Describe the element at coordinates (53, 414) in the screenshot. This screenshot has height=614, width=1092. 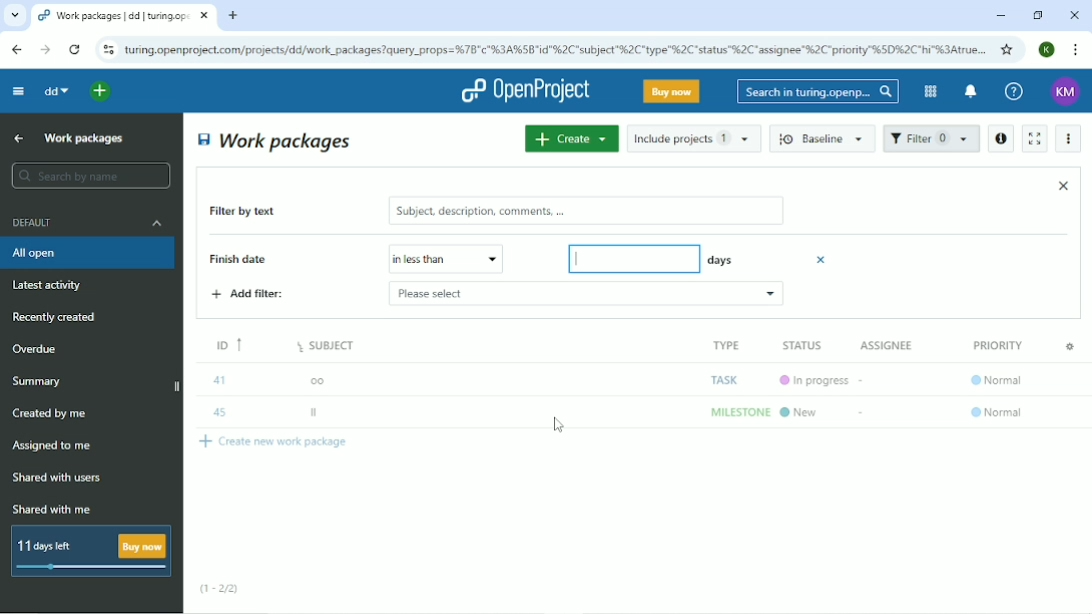
I see `Created by me` at that location.